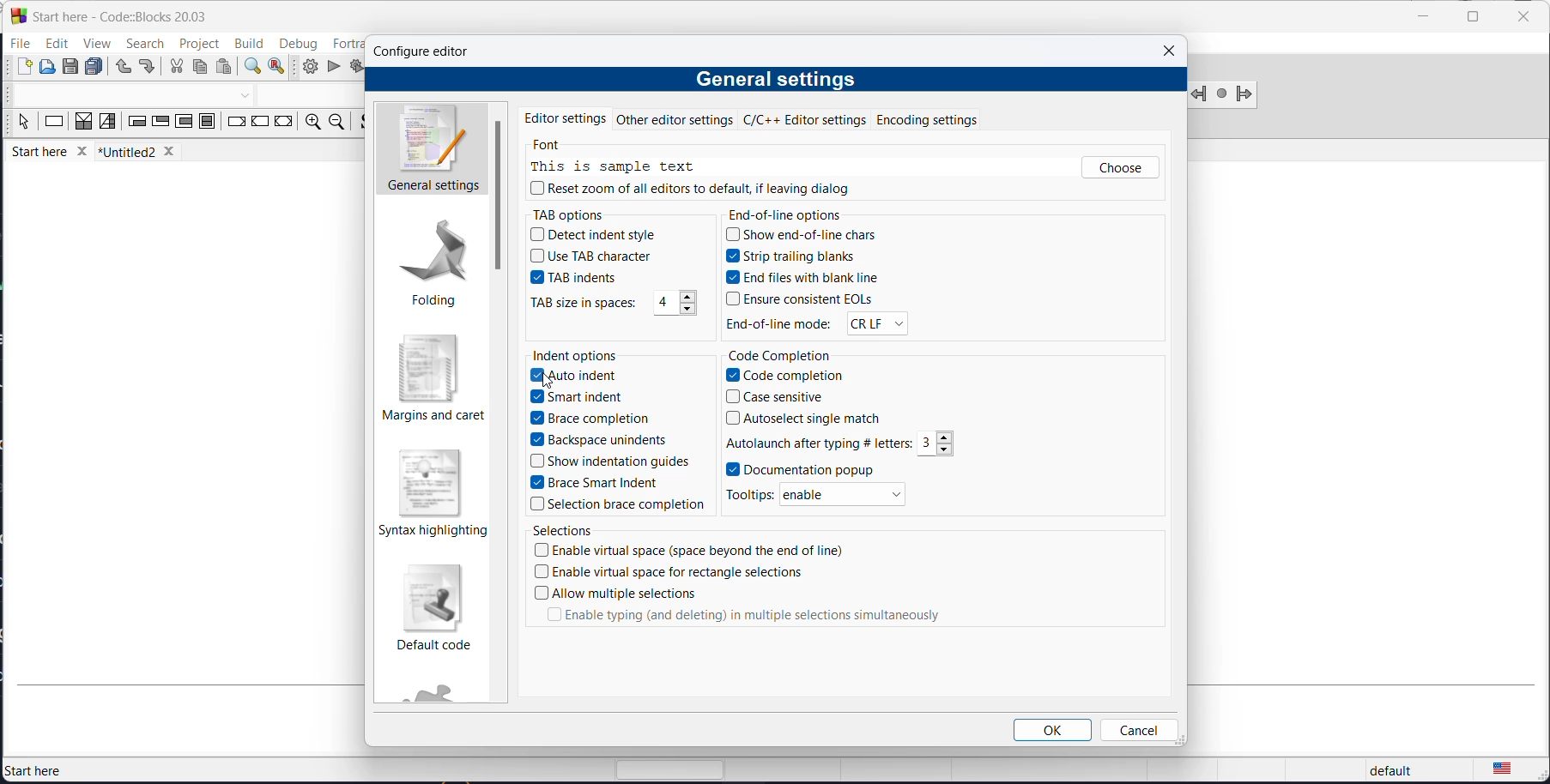  I want to click on undo, so click(119, 69).